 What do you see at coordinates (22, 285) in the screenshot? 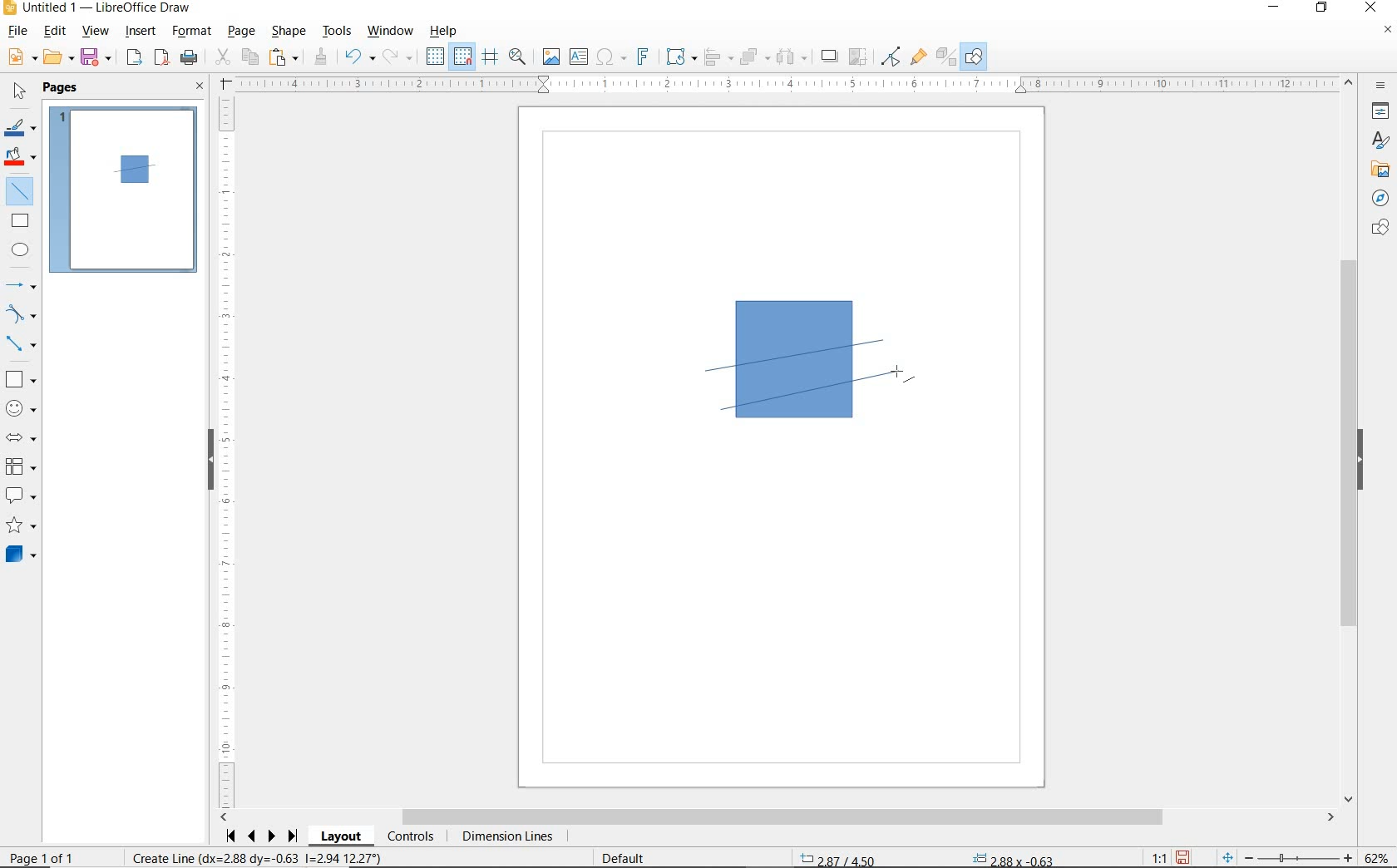
I see `LINES AND ARROWS` at bounding box center [22, 285].